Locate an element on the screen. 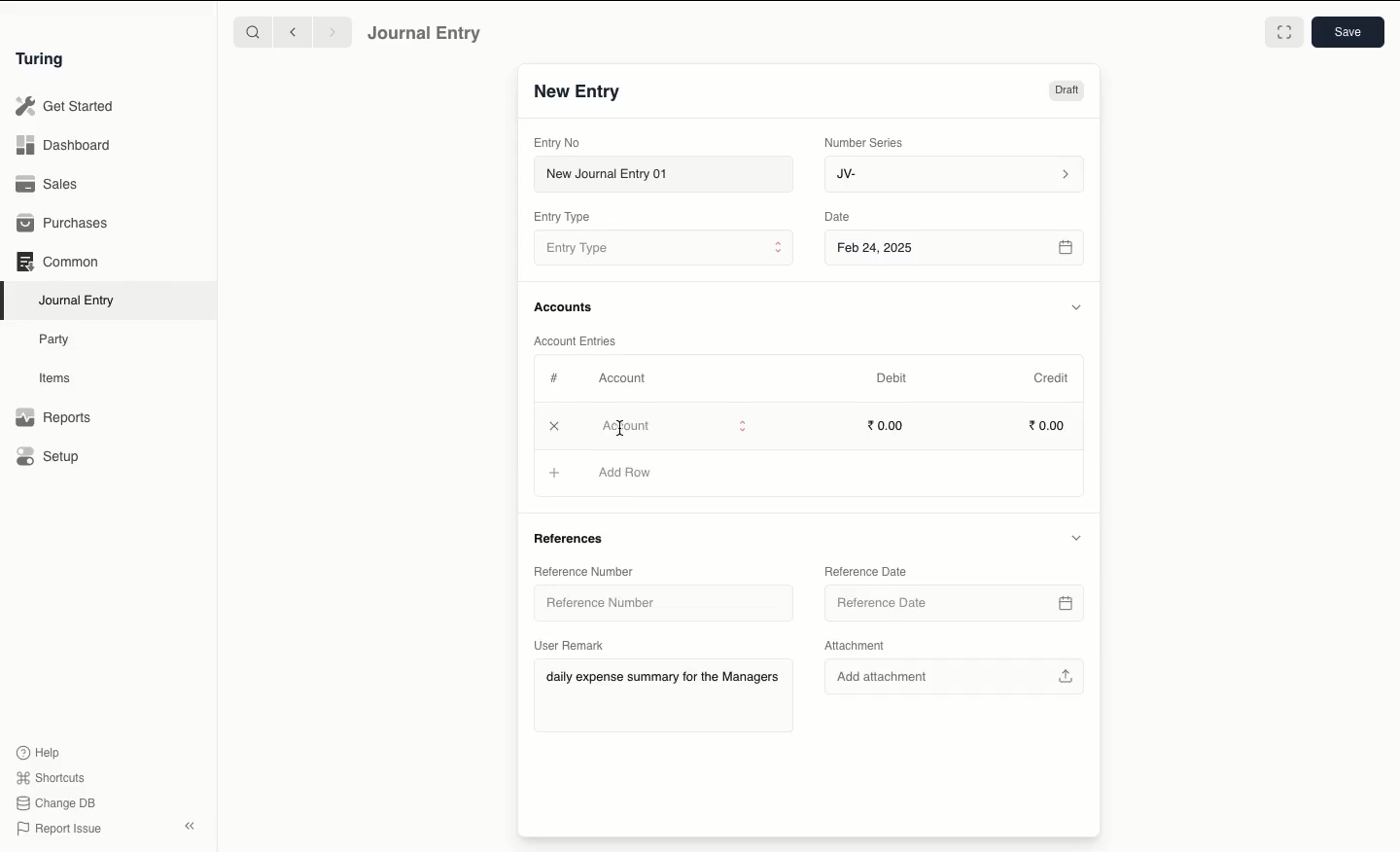  Entry No is located at coordinates (557, 143).